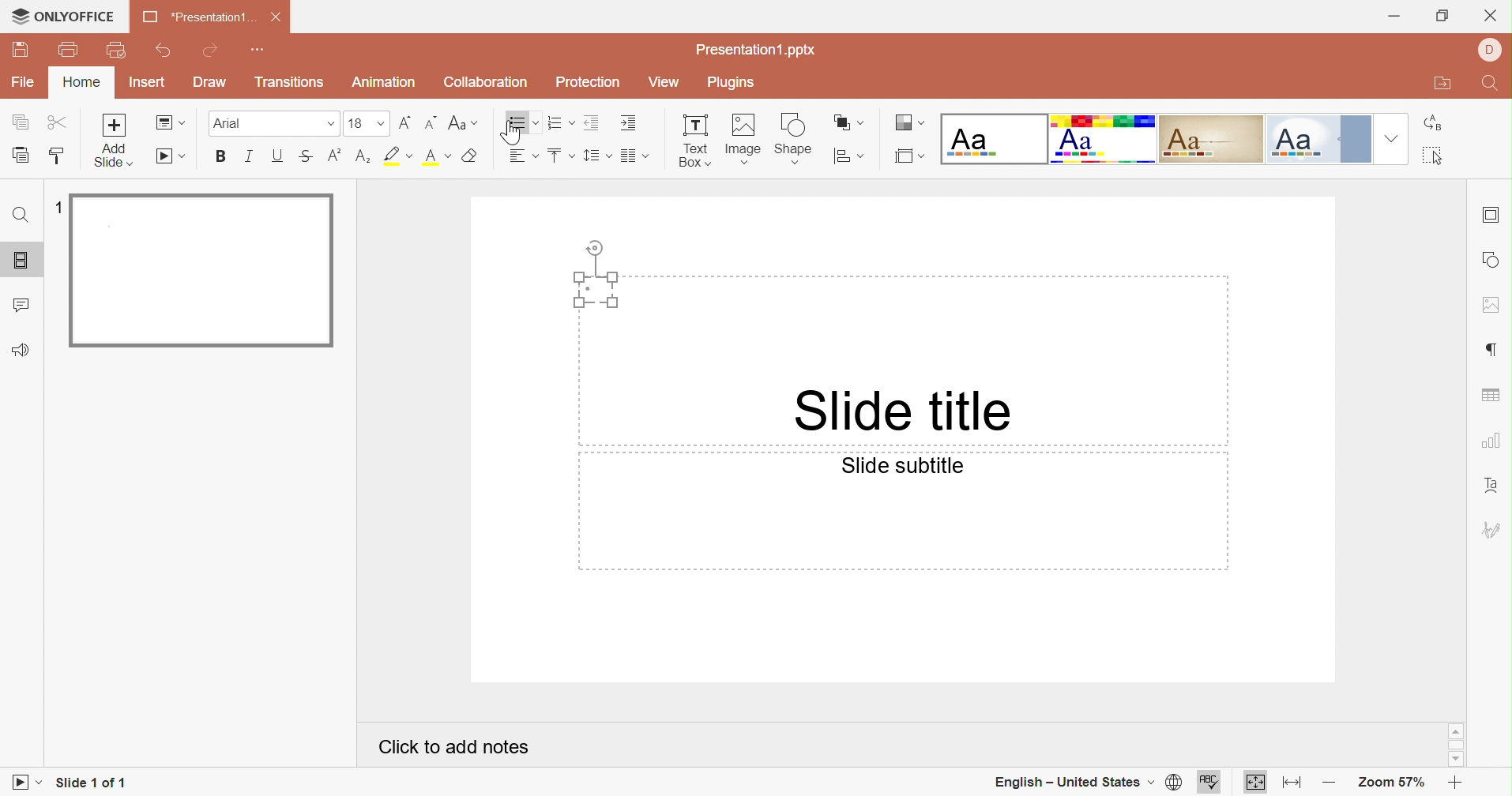 The image size is (1512, 796). What do you see at coordinates (1494, 51) in the screenshot?
I see `DELL` at bounding box center [1494, 51].